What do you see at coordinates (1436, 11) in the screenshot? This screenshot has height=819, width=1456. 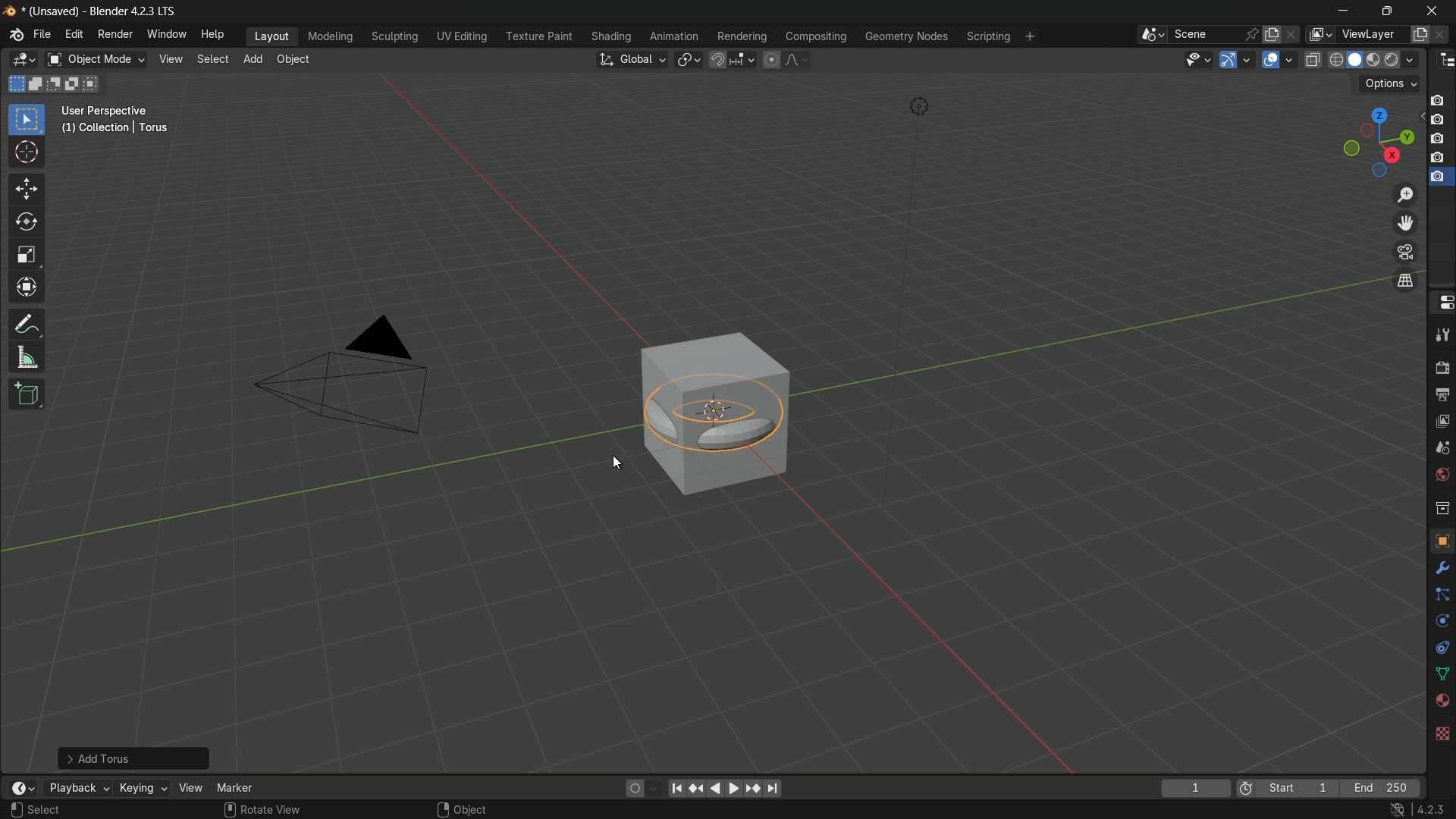 I see `close app` at bounding box center [1436, 11].